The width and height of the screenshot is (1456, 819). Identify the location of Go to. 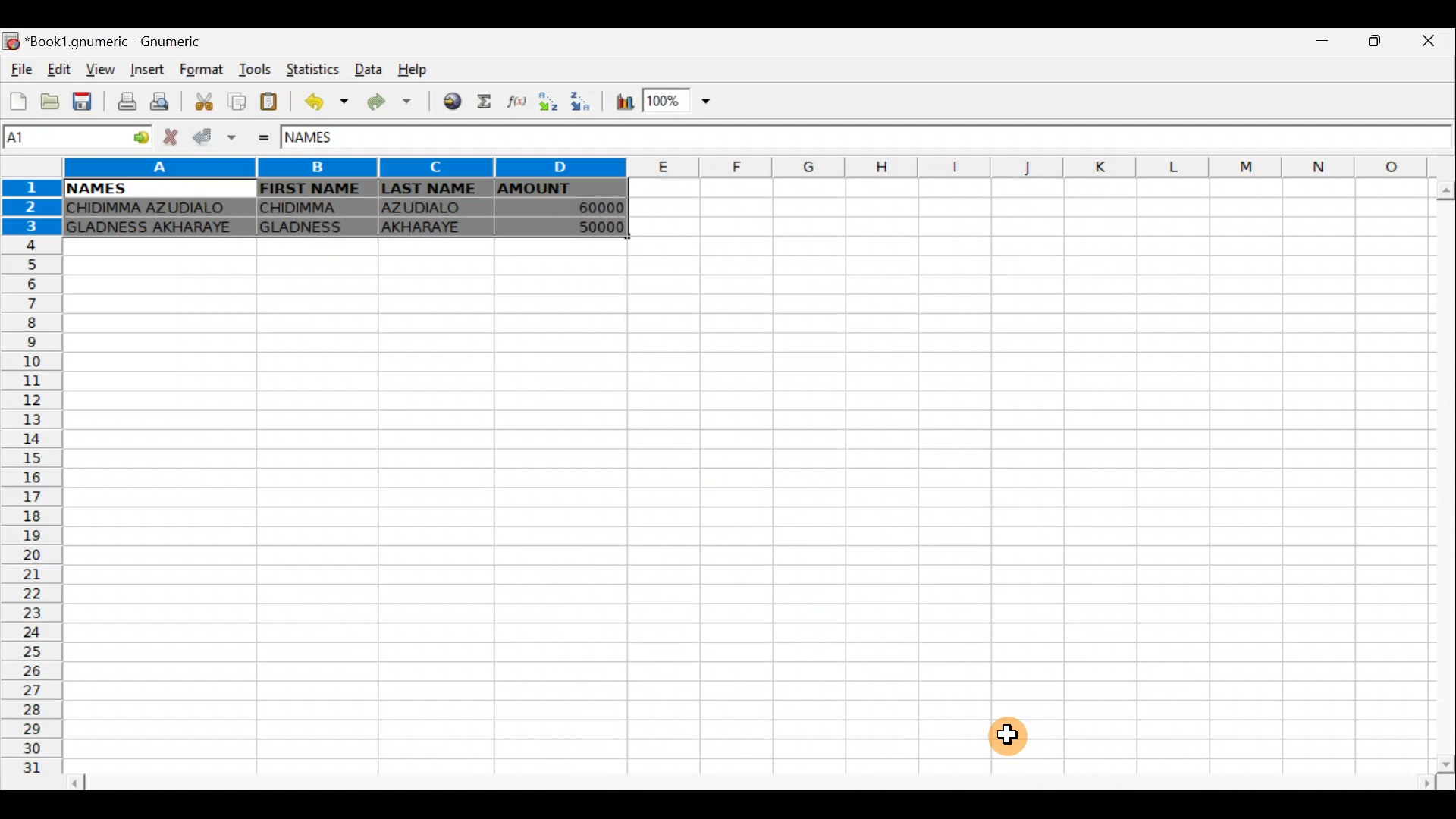
(136, 139).